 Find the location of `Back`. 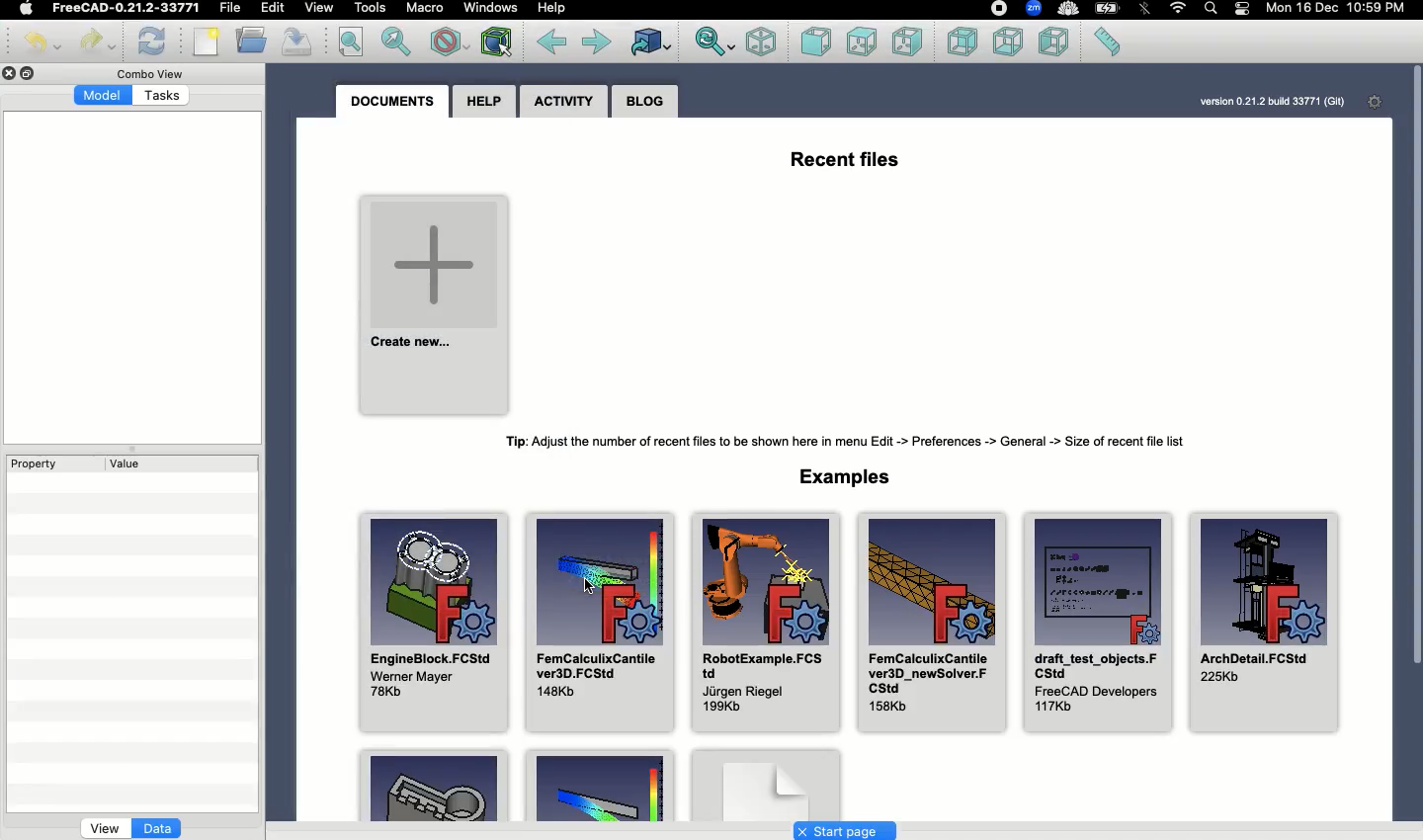

Back is located at coordinates (554, 45).